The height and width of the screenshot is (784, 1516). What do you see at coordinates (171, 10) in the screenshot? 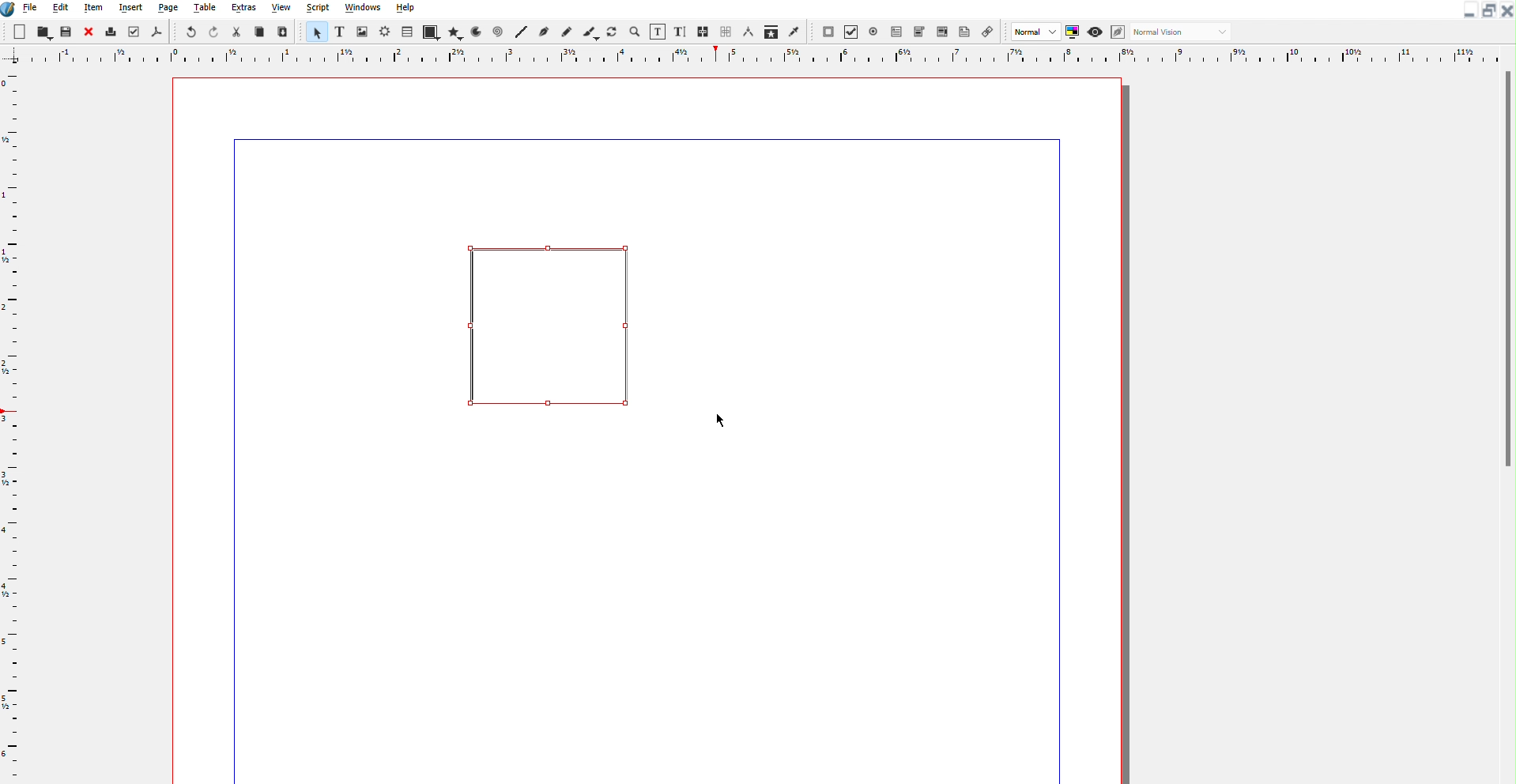
I see `Page` at bounding box center [171, 10].